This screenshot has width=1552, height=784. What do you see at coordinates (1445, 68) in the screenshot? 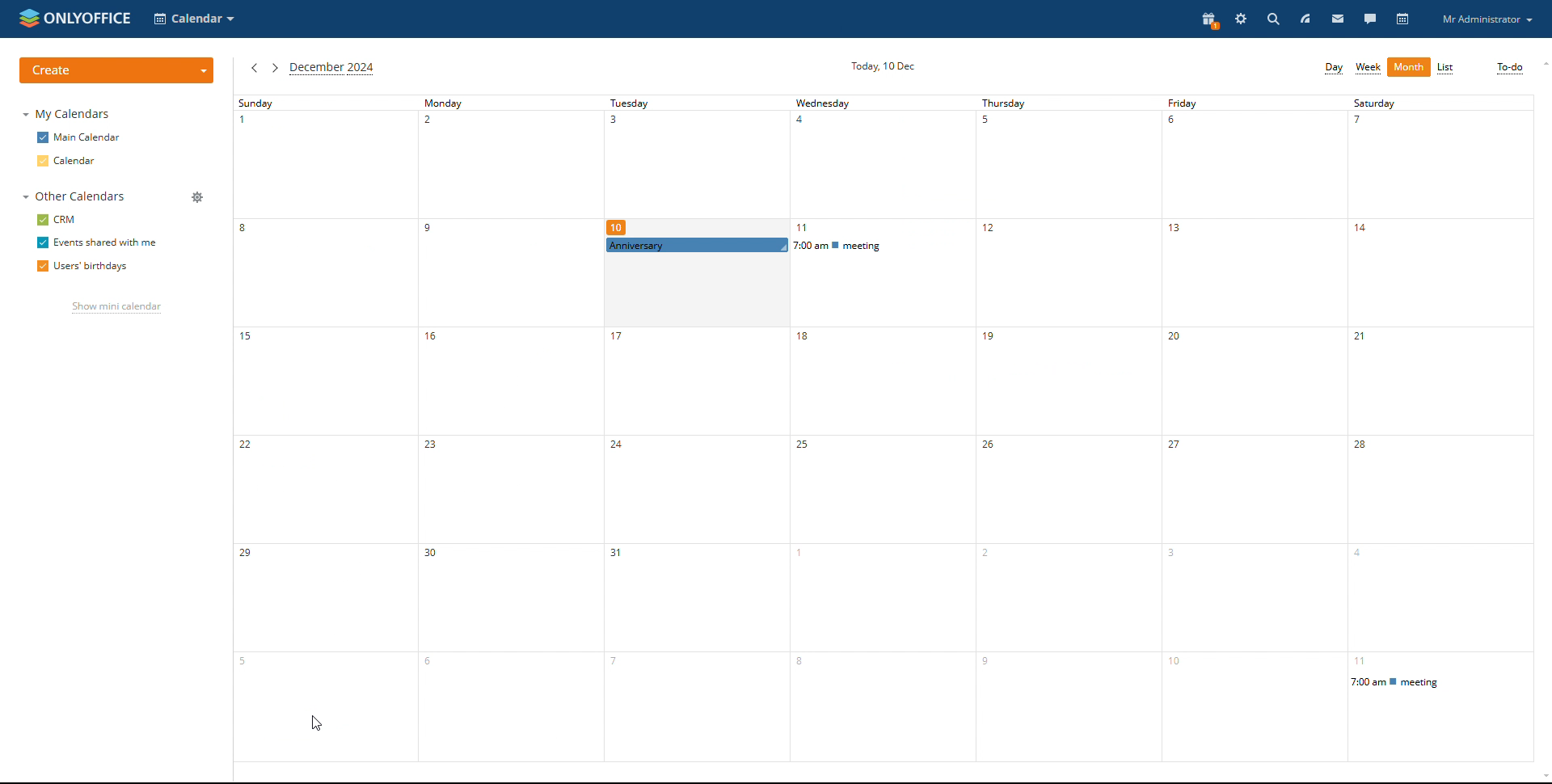
I see `list view` at bounding box center [1445, 68].